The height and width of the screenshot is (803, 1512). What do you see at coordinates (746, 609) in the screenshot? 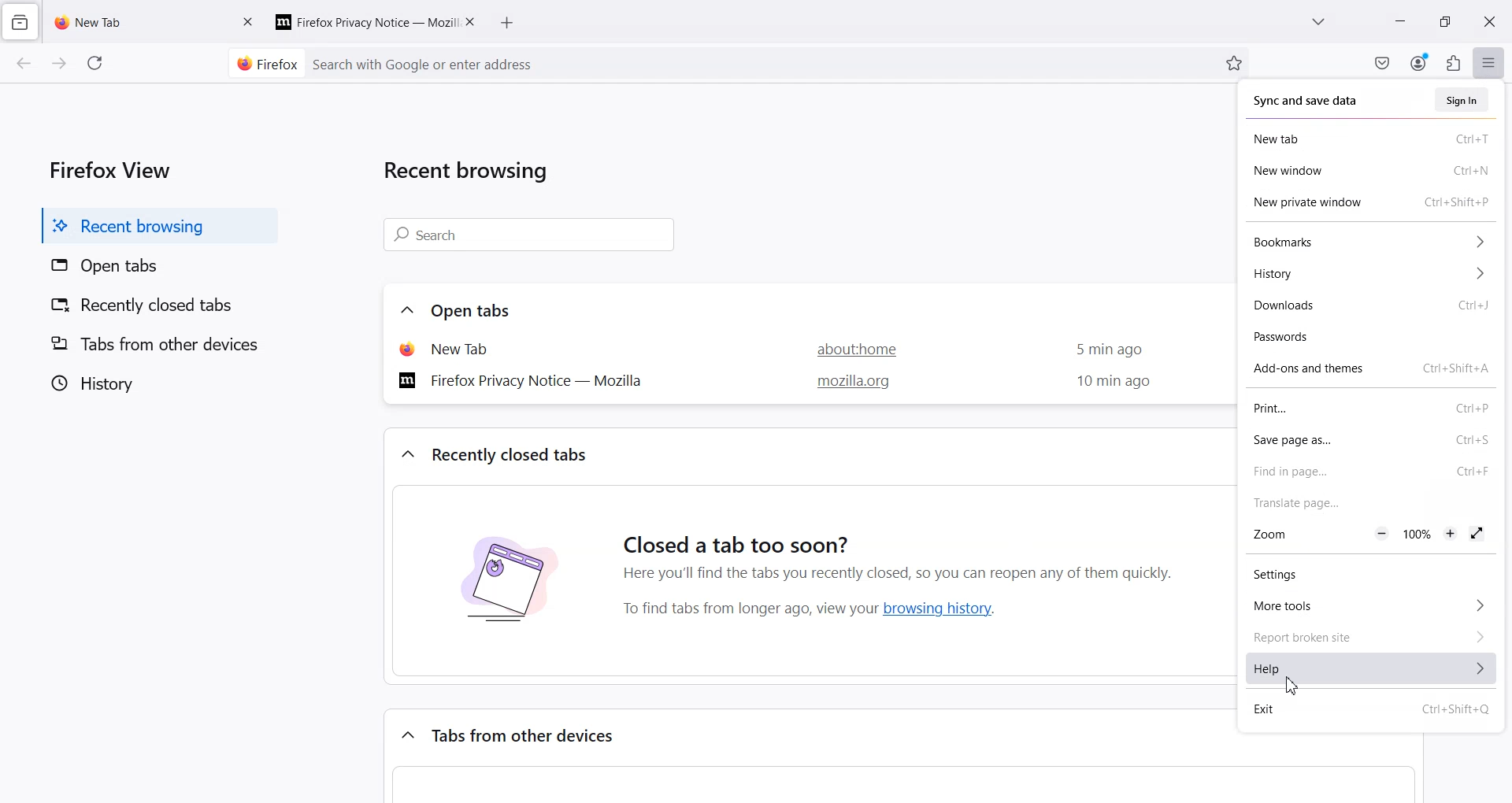
I see `To find tabs from longer ago, view your` at bounding box center [746, 609].